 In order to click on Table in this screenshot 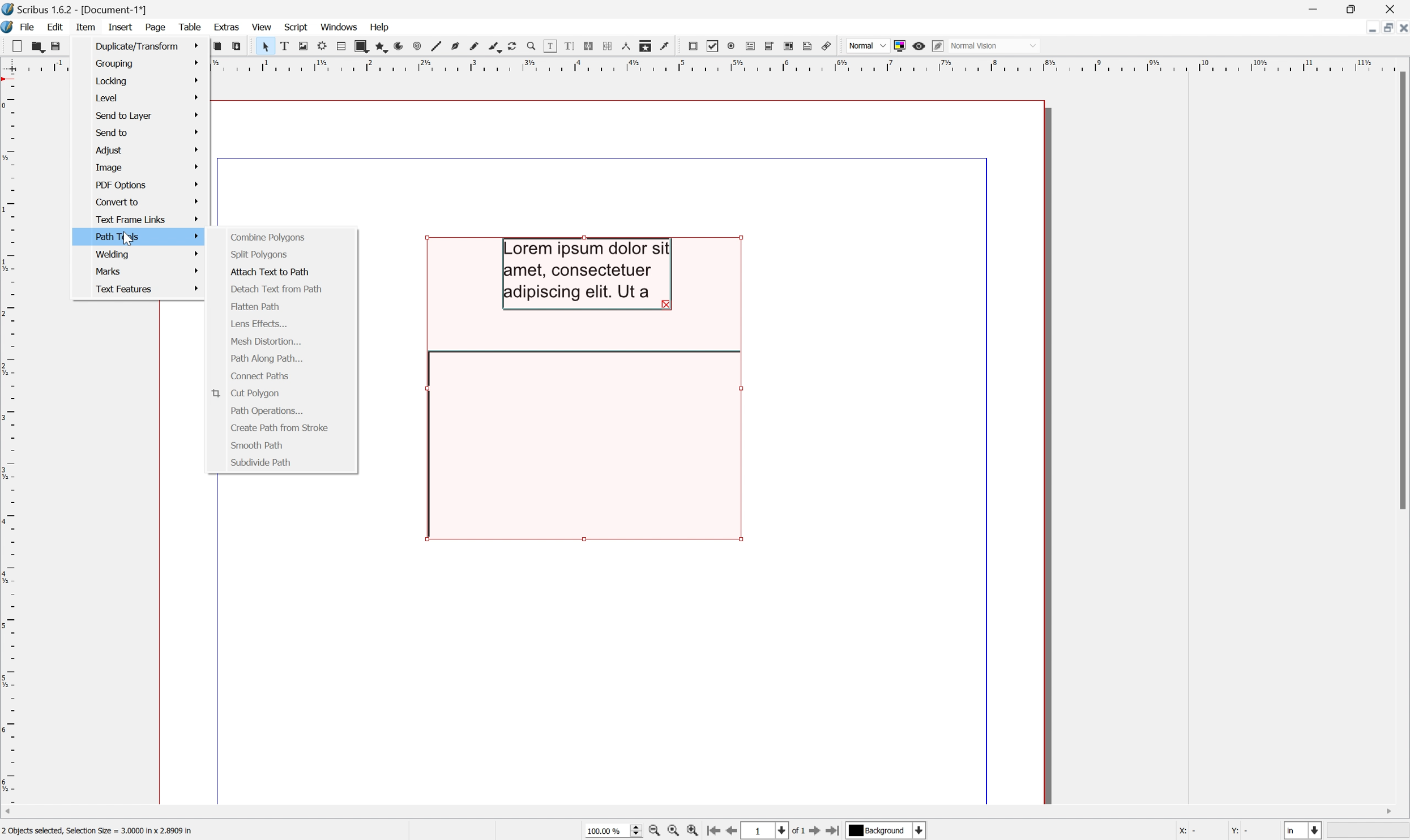, I will do `click(341, 45)`.